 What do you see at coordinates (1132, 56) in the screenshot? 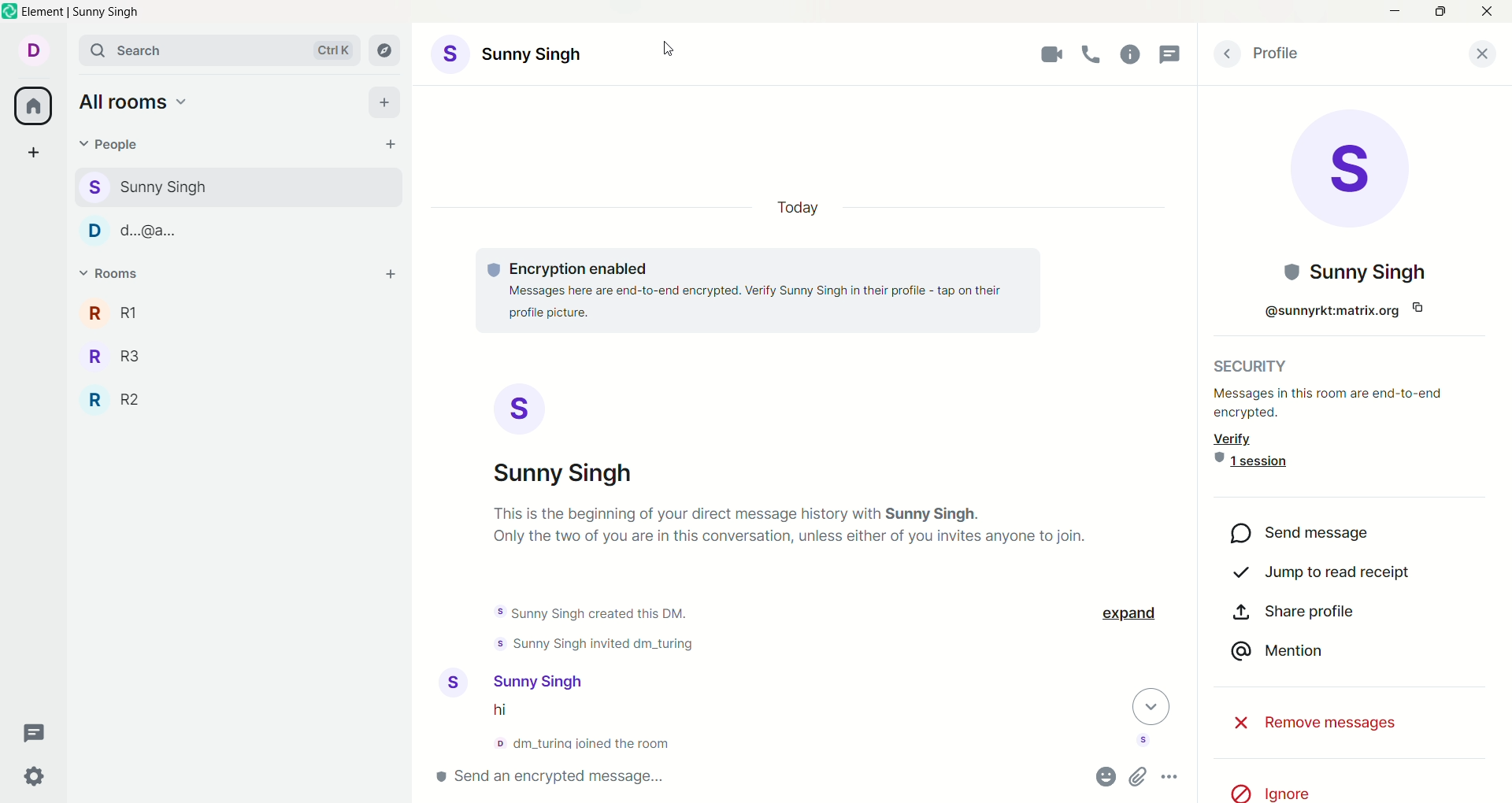
I see `Info` at bounding box center [1132, 56].